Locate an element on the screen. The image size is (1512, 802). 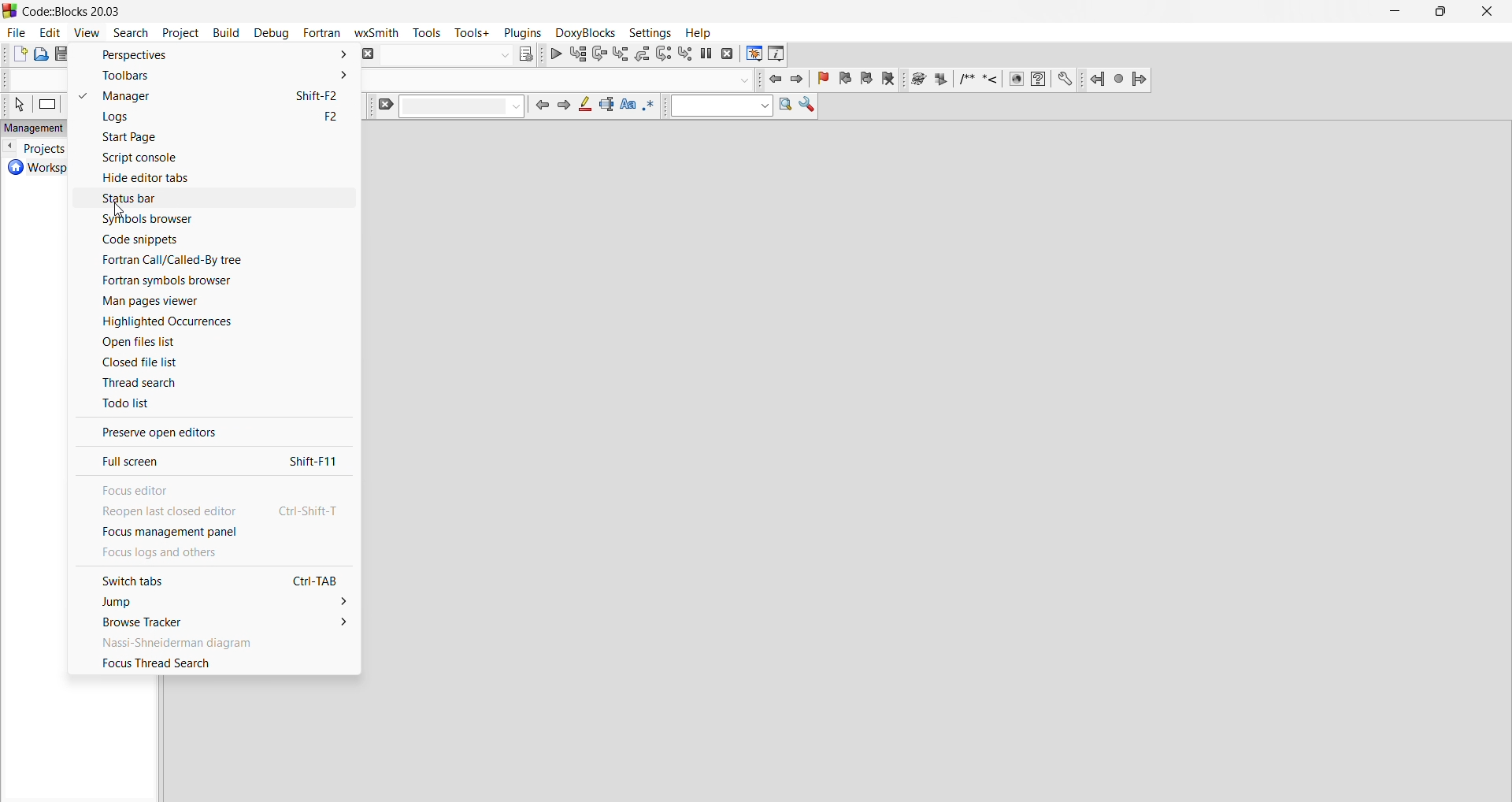
break debugger is located at coordinates (707, 57).